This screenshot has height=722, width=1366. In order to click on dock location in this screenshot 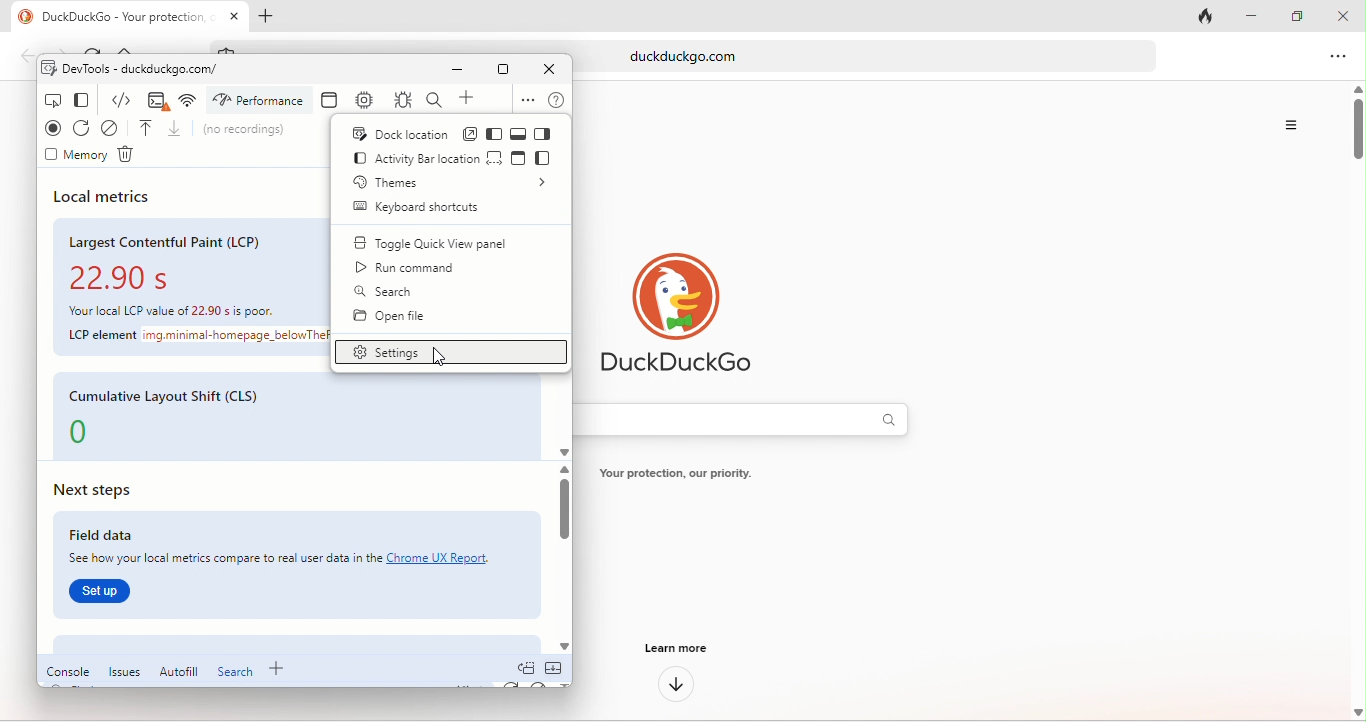, I will do `click(450, 134)`.